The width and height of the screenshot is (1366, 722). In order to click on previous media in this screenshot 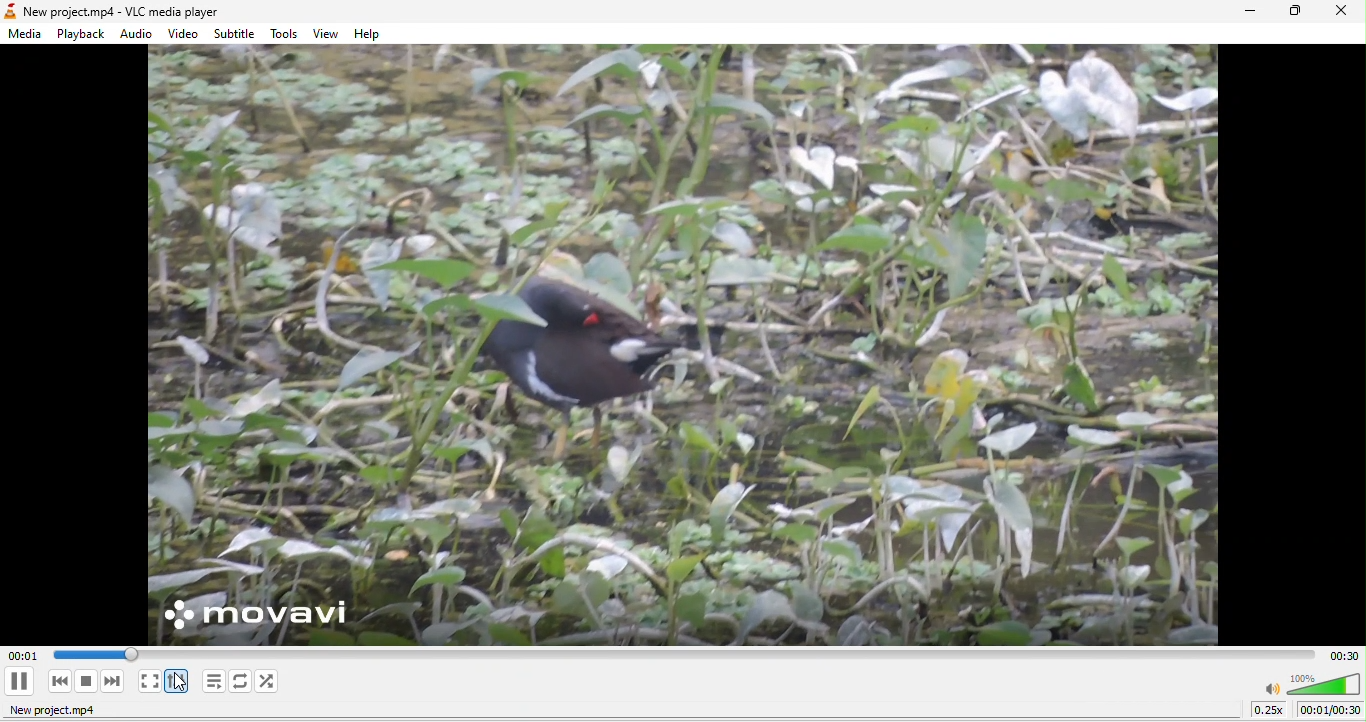, I will do `click(56, 681)`.